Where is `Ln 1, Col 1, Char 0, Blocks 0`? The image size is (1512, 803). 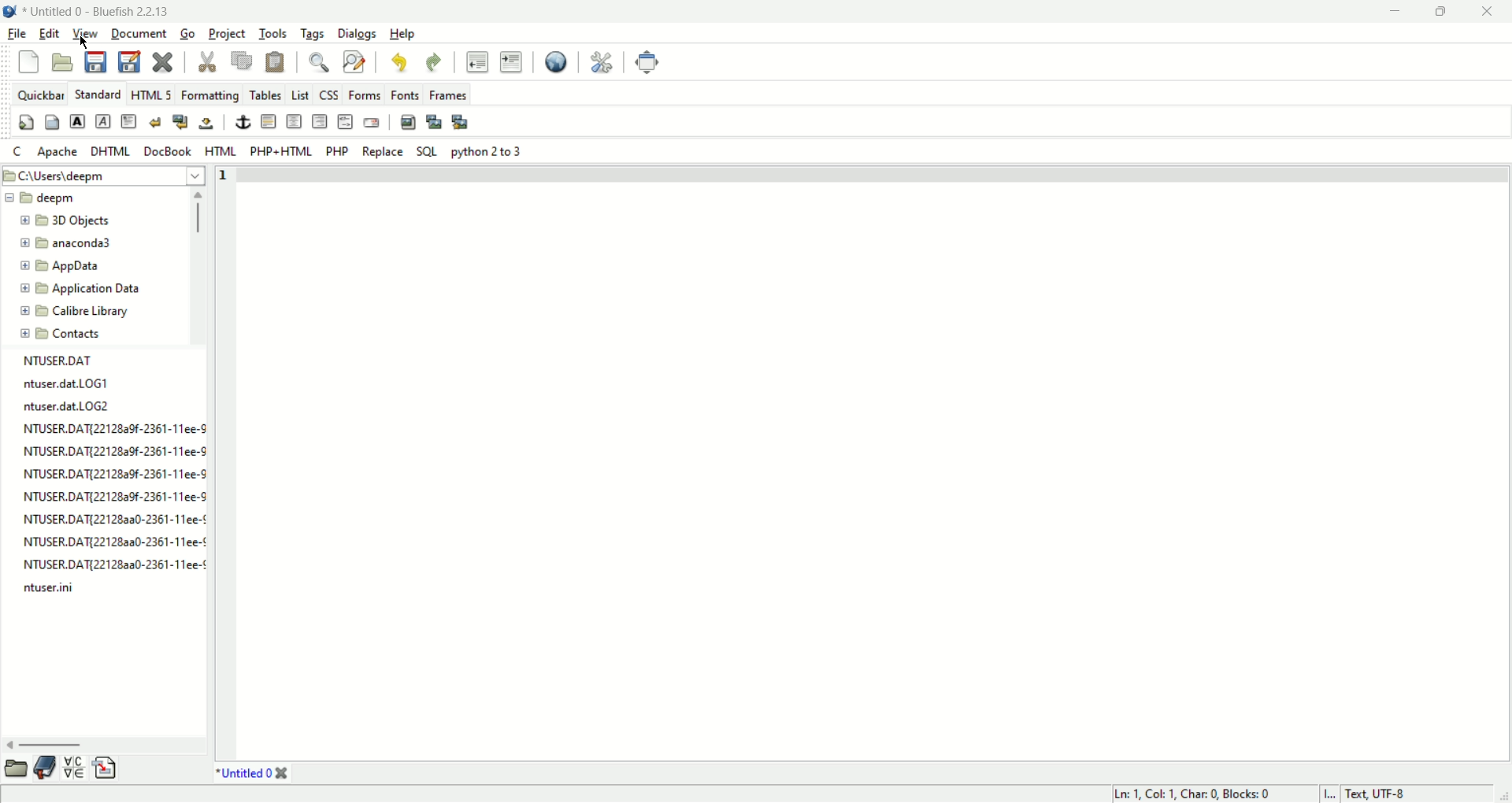
Ln 1, Col 1, Char 0, Blocks 0 is located at coordinates (1198, 794).